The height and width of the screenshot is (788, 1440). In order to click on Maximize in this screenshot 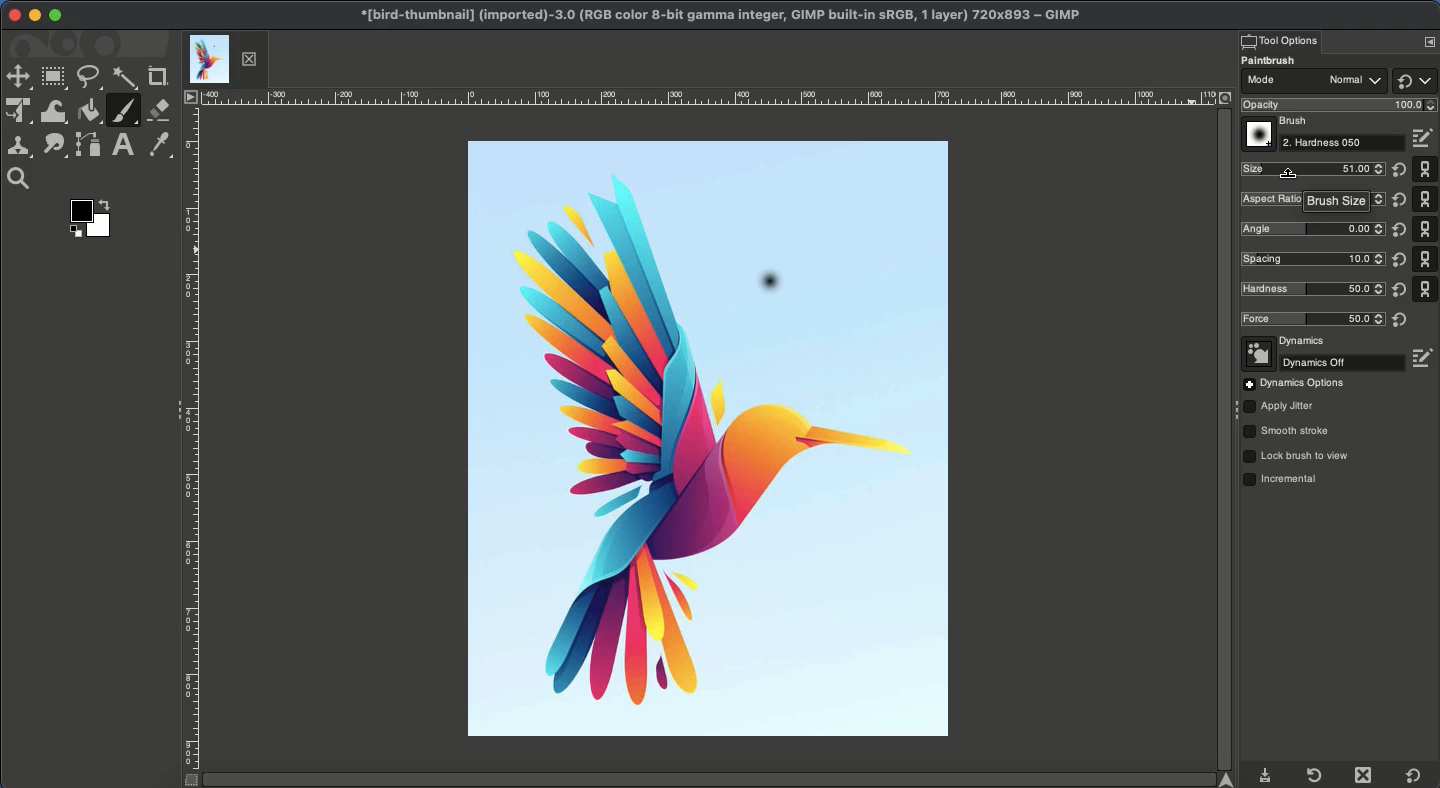, I will do `click(55, 15)`.